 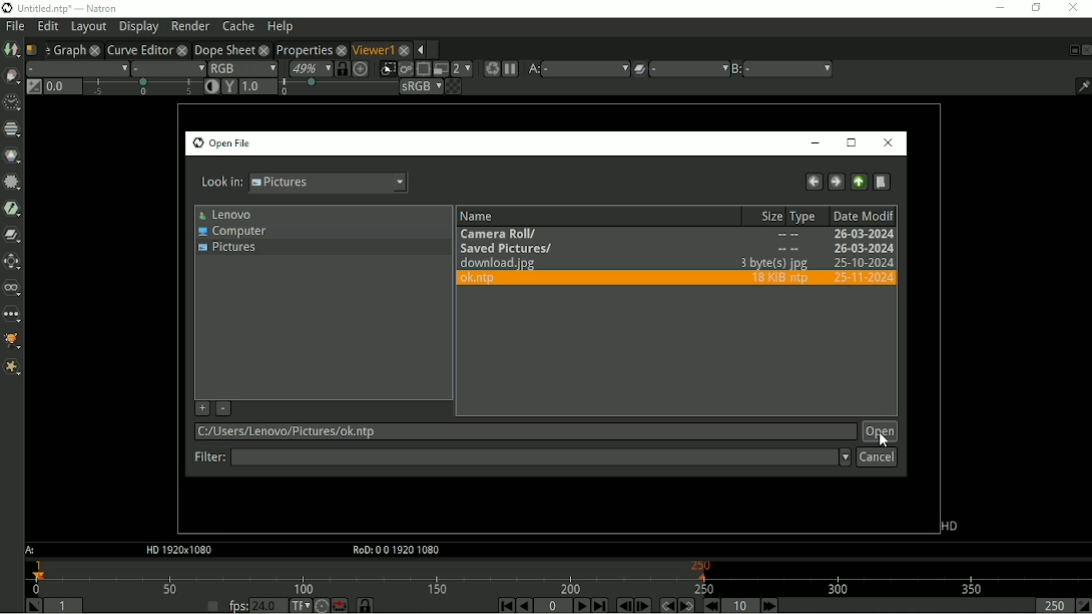 I want to click on Scale image, so click(x=362, y=68).